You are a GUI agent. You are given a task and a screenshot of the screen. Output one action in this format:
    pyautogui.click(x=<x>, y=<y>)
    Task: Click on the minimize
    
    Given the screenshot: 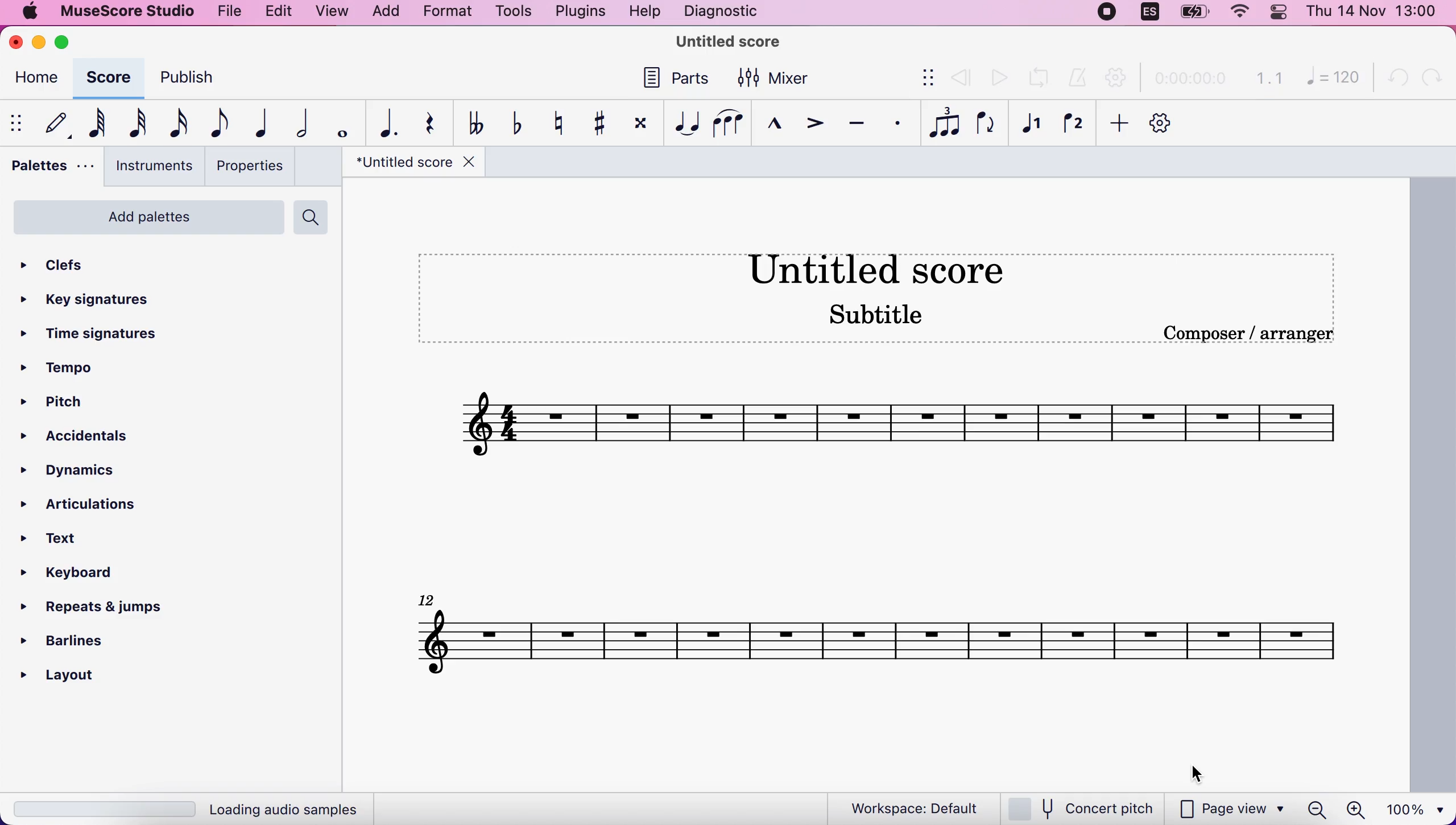 What is the action you would take?
    pyautogui.click(x=40, y=44)
    